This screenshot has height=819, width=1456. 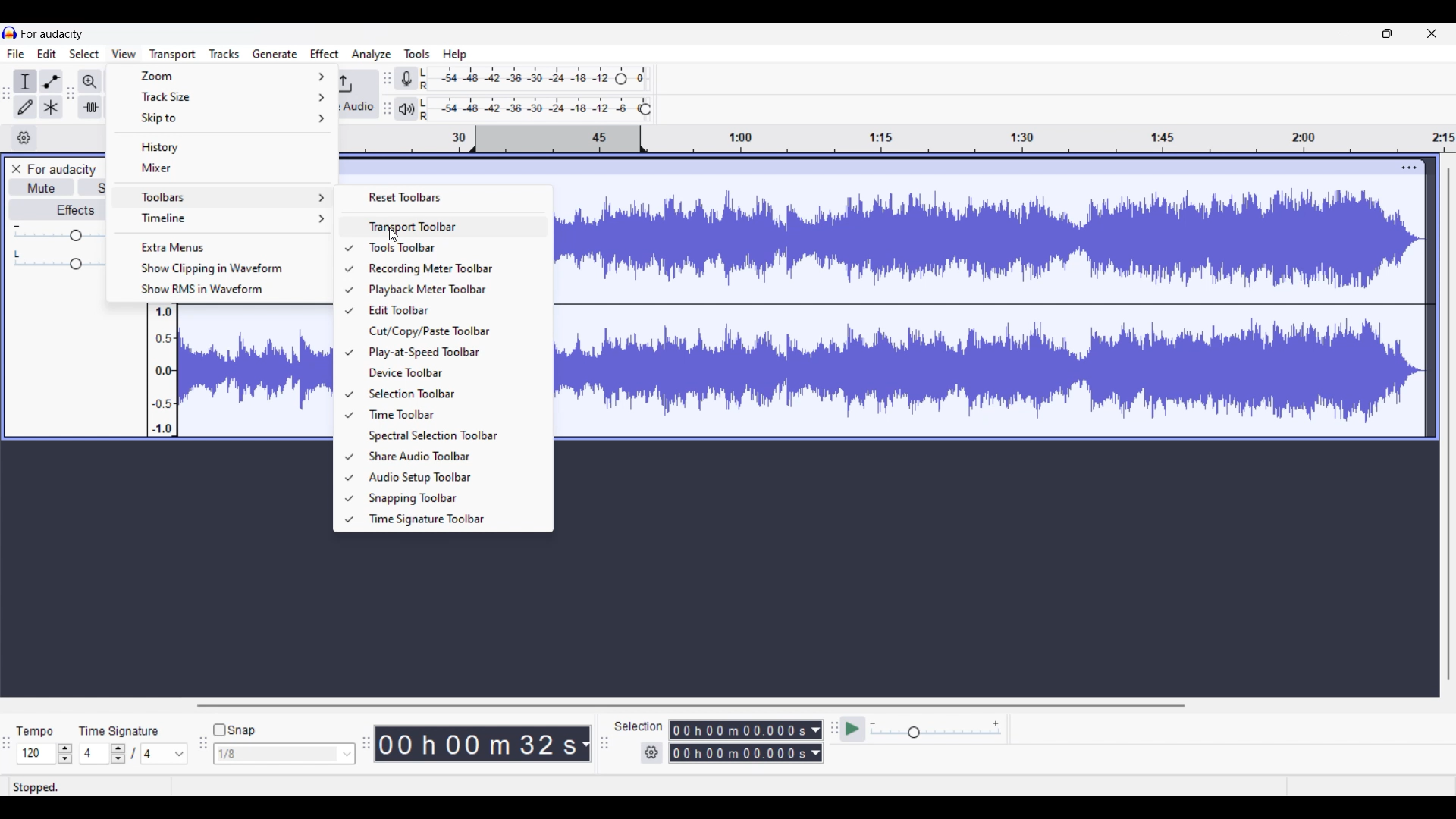 I want to click on Mute, so click(x=42, y=187).